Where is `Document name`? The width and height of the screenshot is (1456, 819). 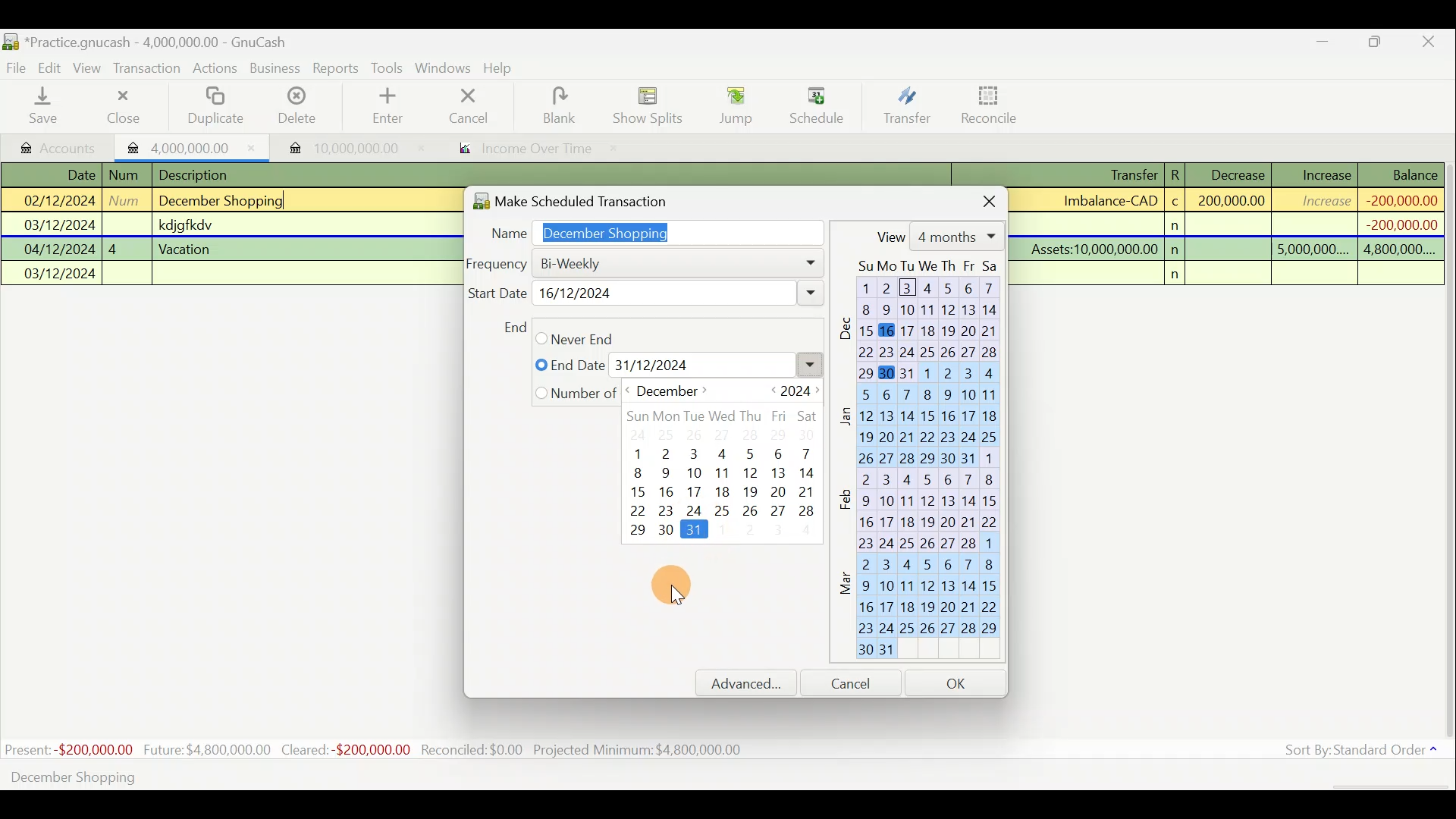
Document name is located at coordinates (163, 43).